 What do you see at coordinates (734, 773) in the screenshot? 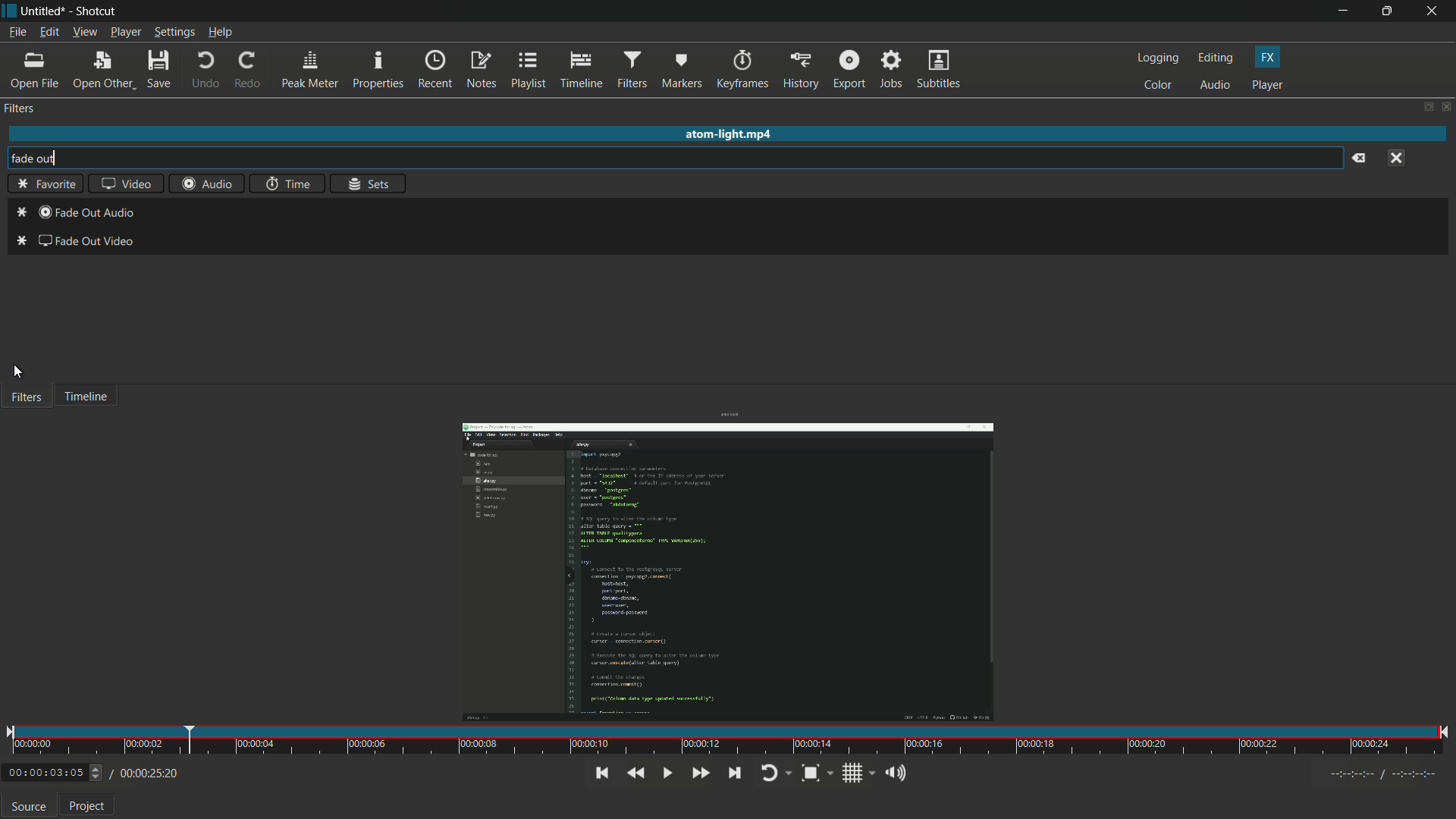
I see `skip to the next point` at bounding box center [734, 773].